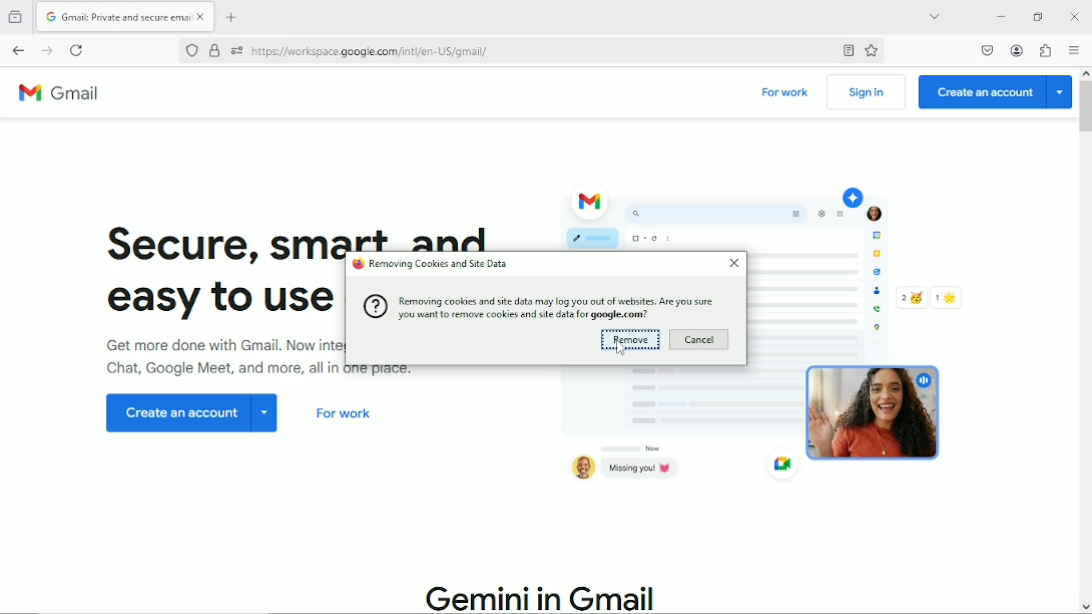 This screenshot has width=1092, height=614. What do you see at coordinates (350, 419) in the screenshot?
I see `for work` at bounding box center [350, 419].